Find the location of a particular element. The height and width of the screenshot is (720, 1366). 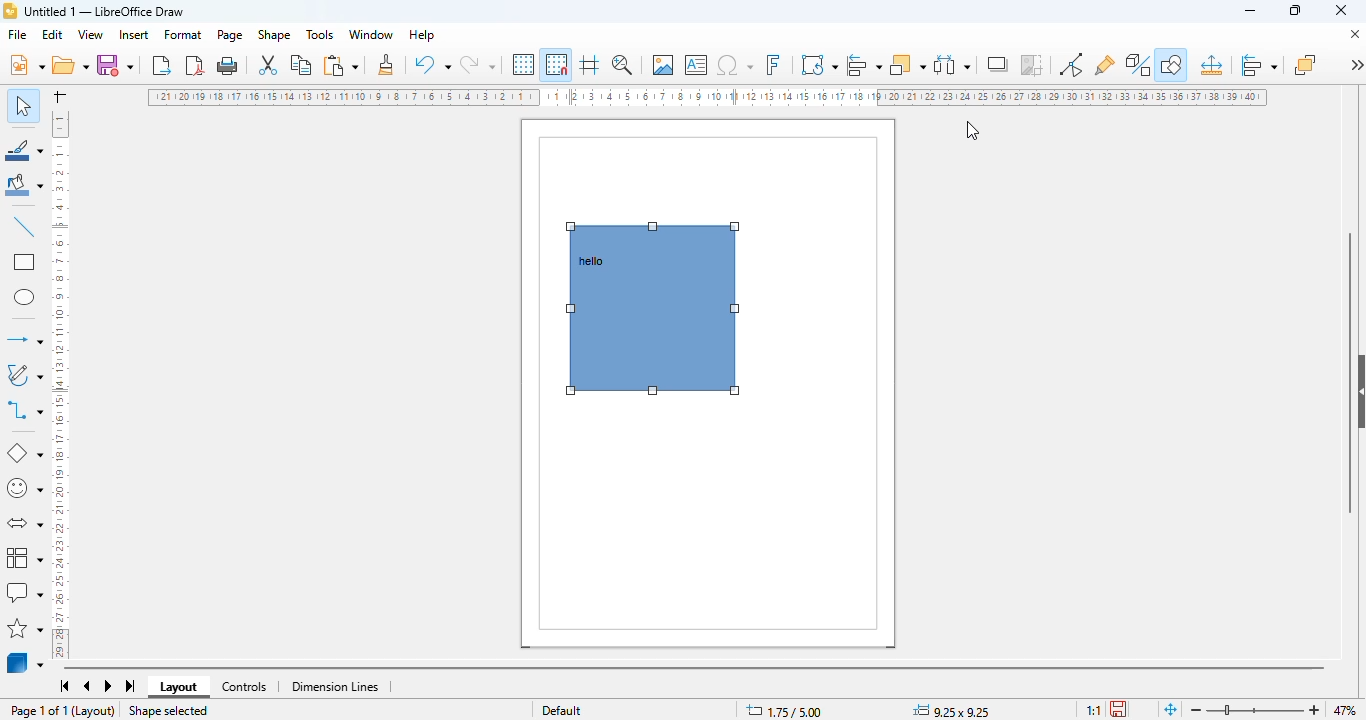

logo is located at coordinates (10, 11).